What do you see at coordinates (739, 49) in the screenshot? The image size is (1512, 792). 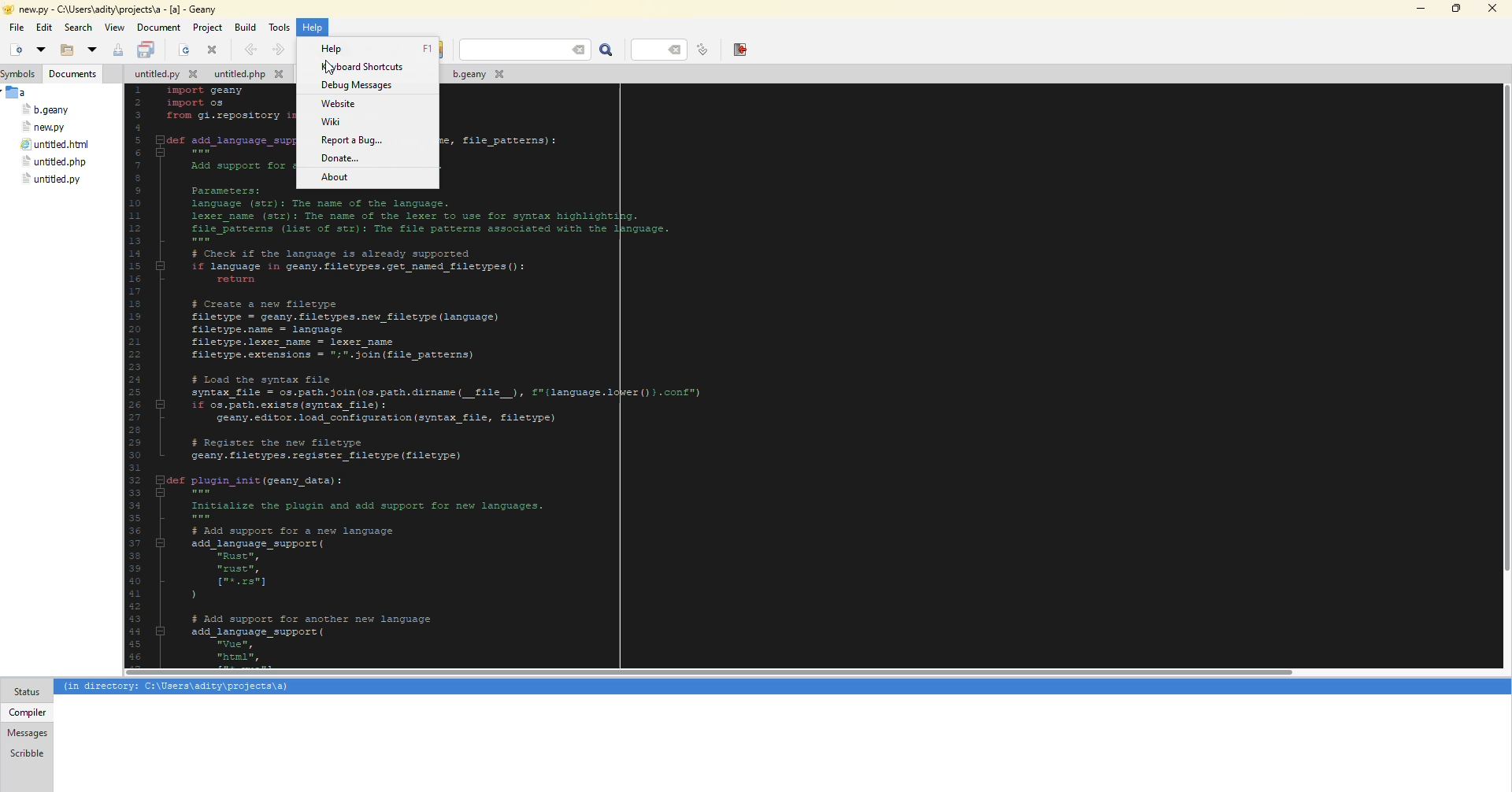 I see `exit` at bounding box center [739, 49].